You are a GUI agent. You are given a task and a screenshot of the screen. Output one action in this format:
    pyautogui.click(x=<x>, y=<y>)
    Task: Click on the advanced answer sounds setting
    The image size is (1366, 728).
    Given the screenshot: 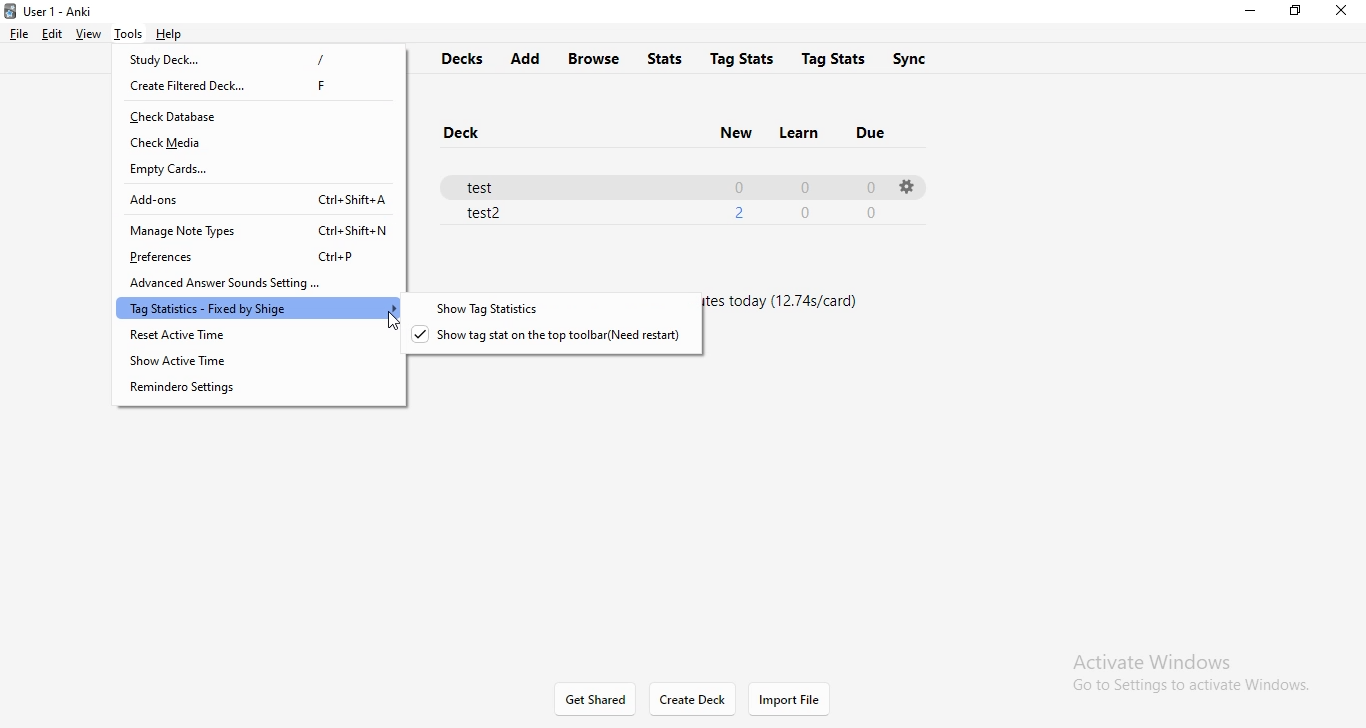 What is the action you would take?
    pyautogui.click(x=256, y=282)
    